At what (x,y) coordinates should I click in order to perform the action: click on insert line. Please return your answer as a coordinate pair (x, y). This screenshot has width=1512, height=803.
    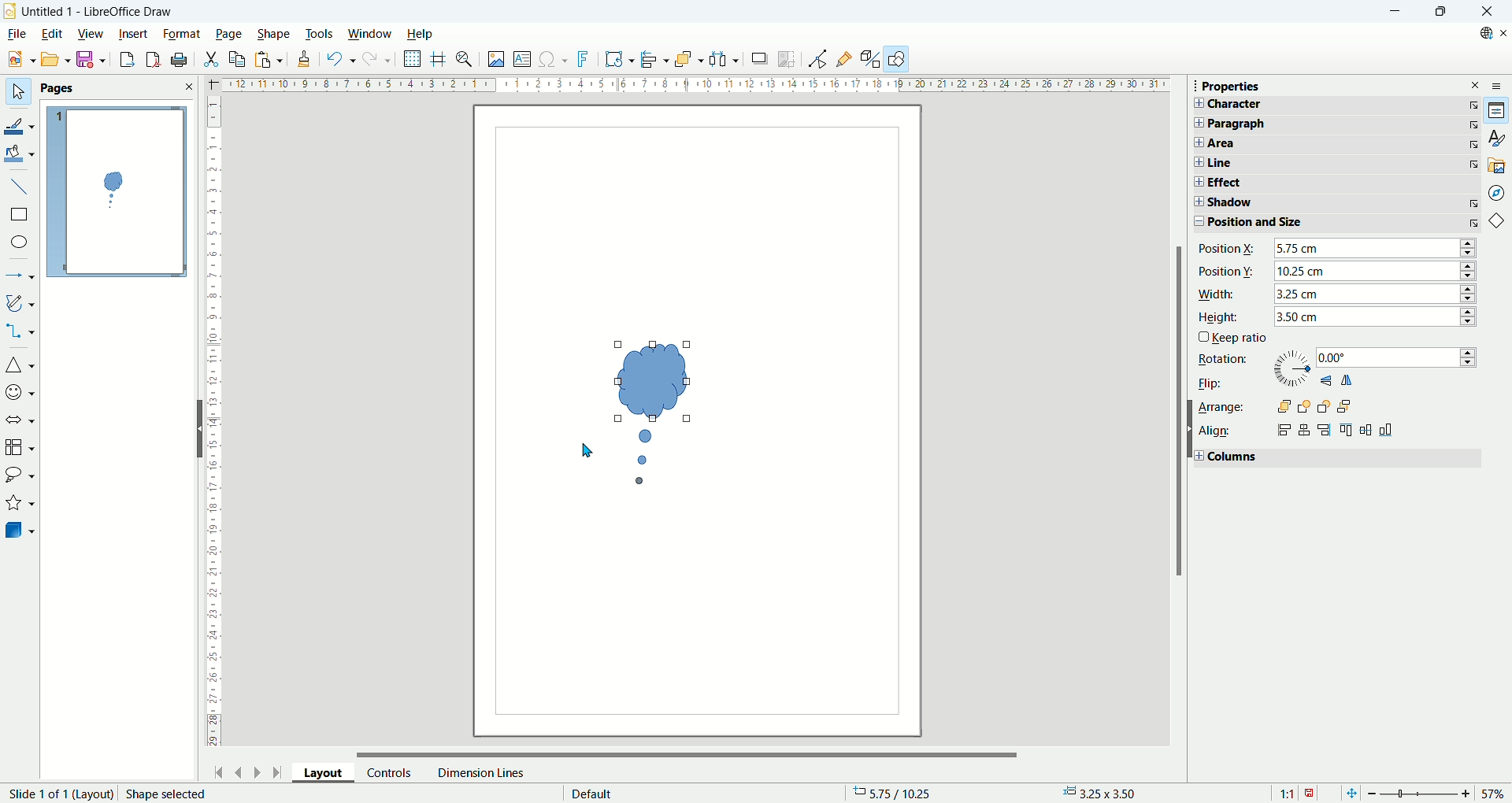
    Looking at the image, I should click on (19, 185).